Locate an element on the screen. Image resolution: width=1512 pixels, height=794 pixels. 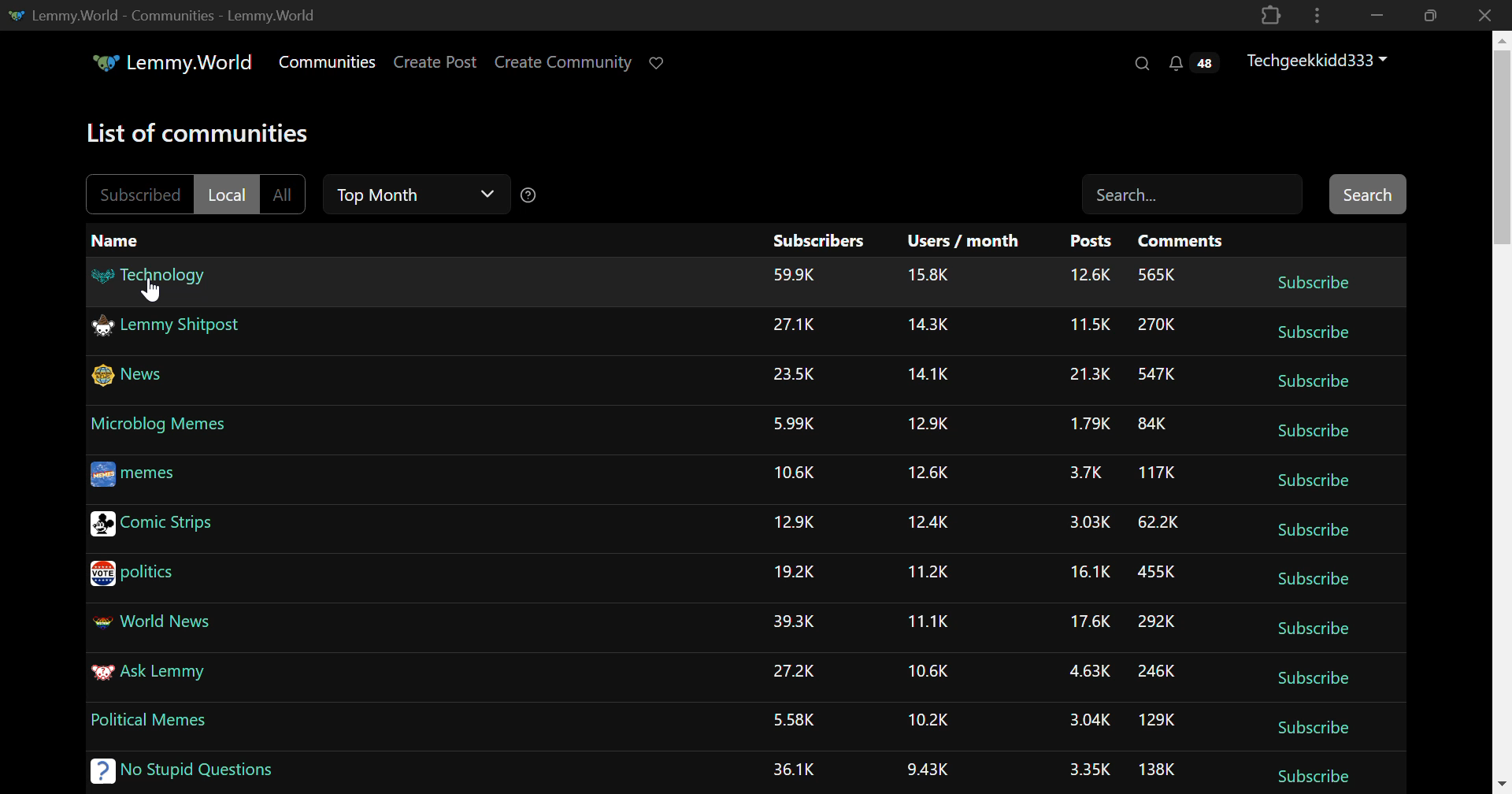
Search is located at coordinates (1192, 191).